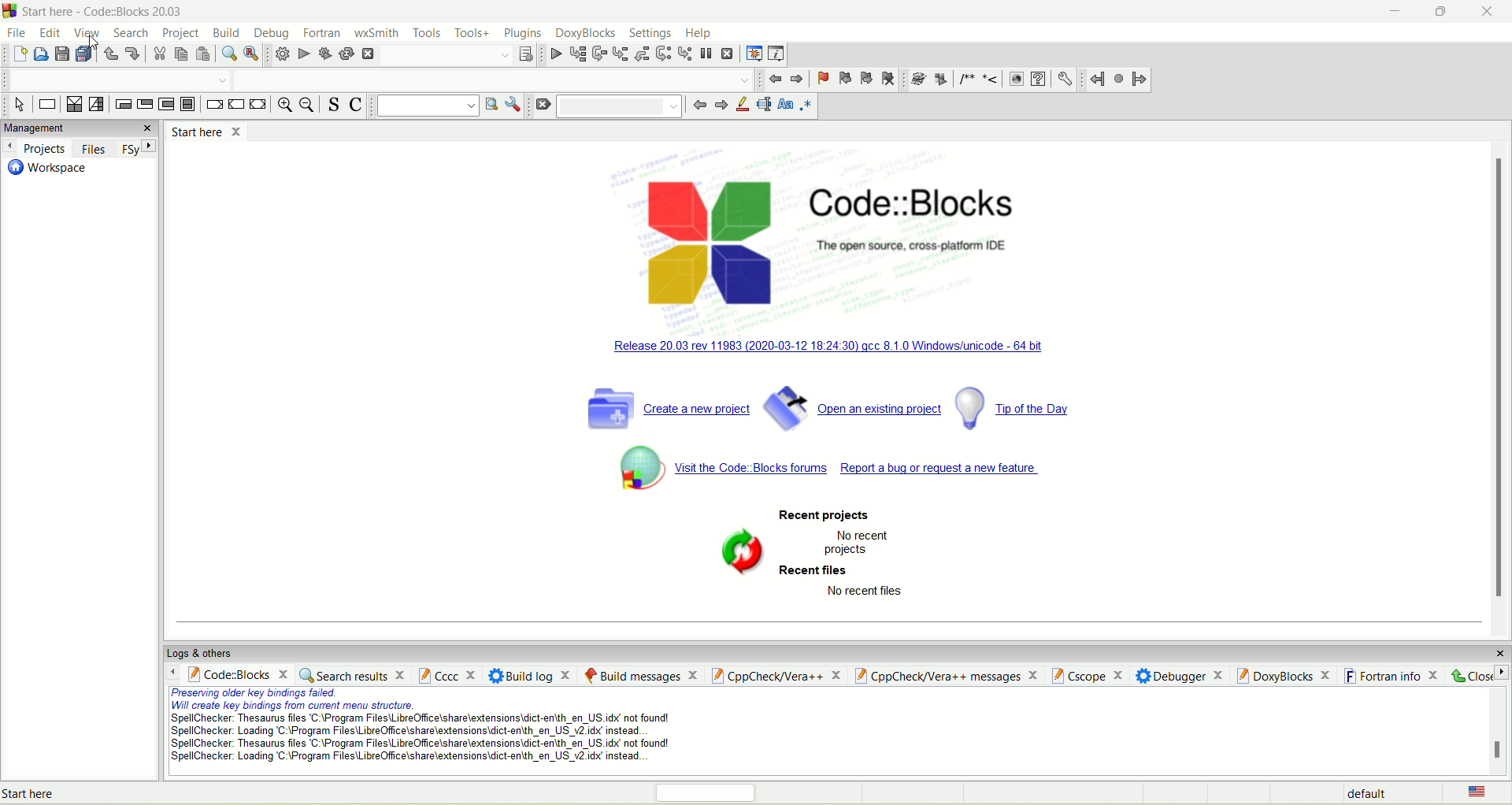  I want to click on Fsy, so click(138, 148).